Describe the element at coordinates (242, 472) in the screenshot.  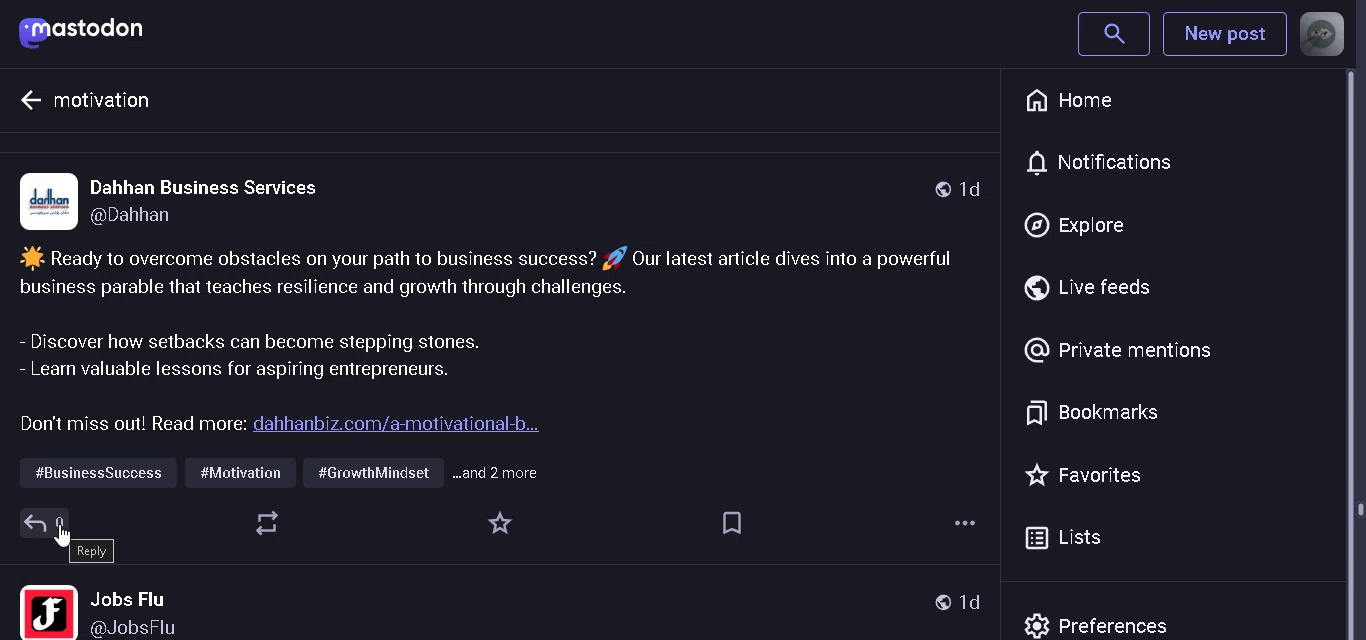
I see `#Motivation` at that location.